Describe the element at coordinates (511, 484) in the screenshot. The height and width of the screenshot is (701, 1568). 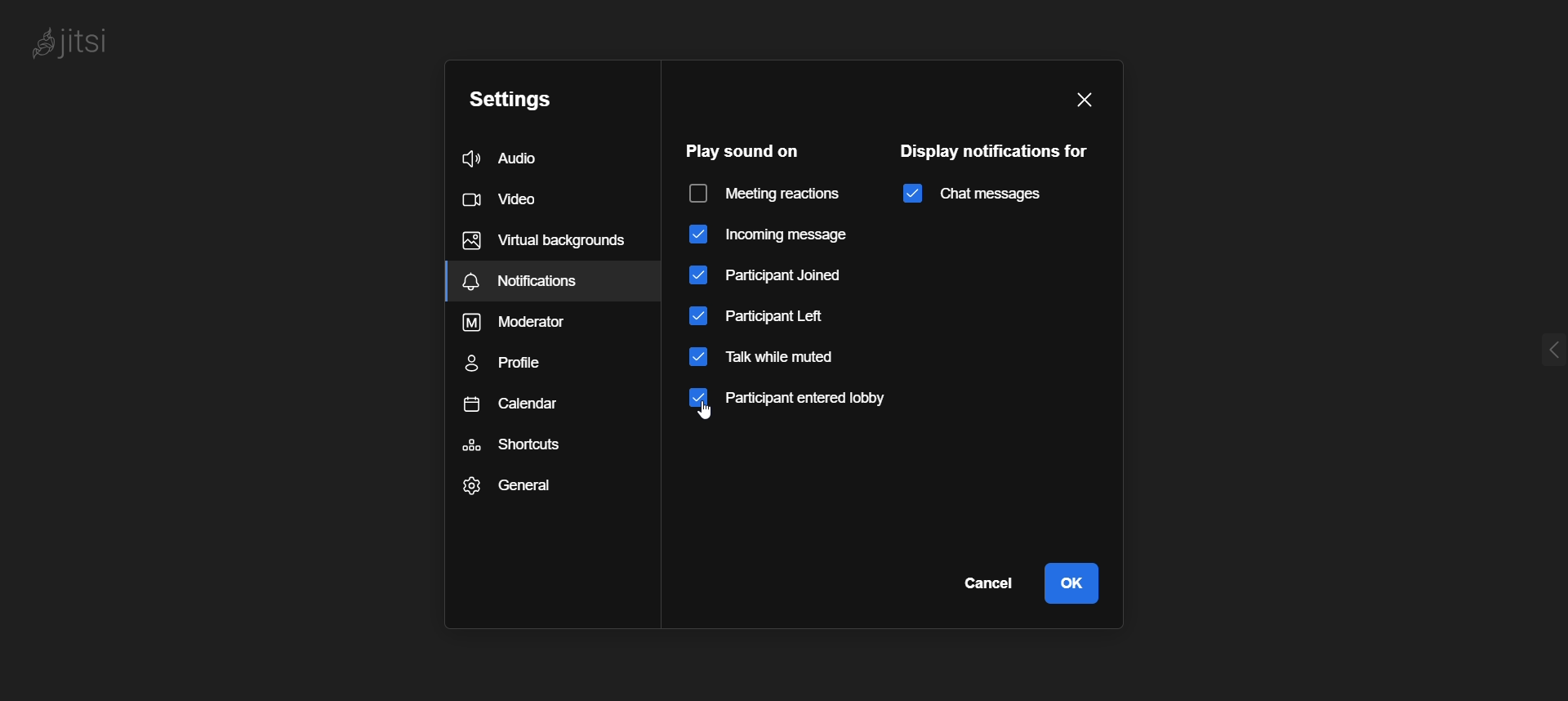
I see `General` at that location.